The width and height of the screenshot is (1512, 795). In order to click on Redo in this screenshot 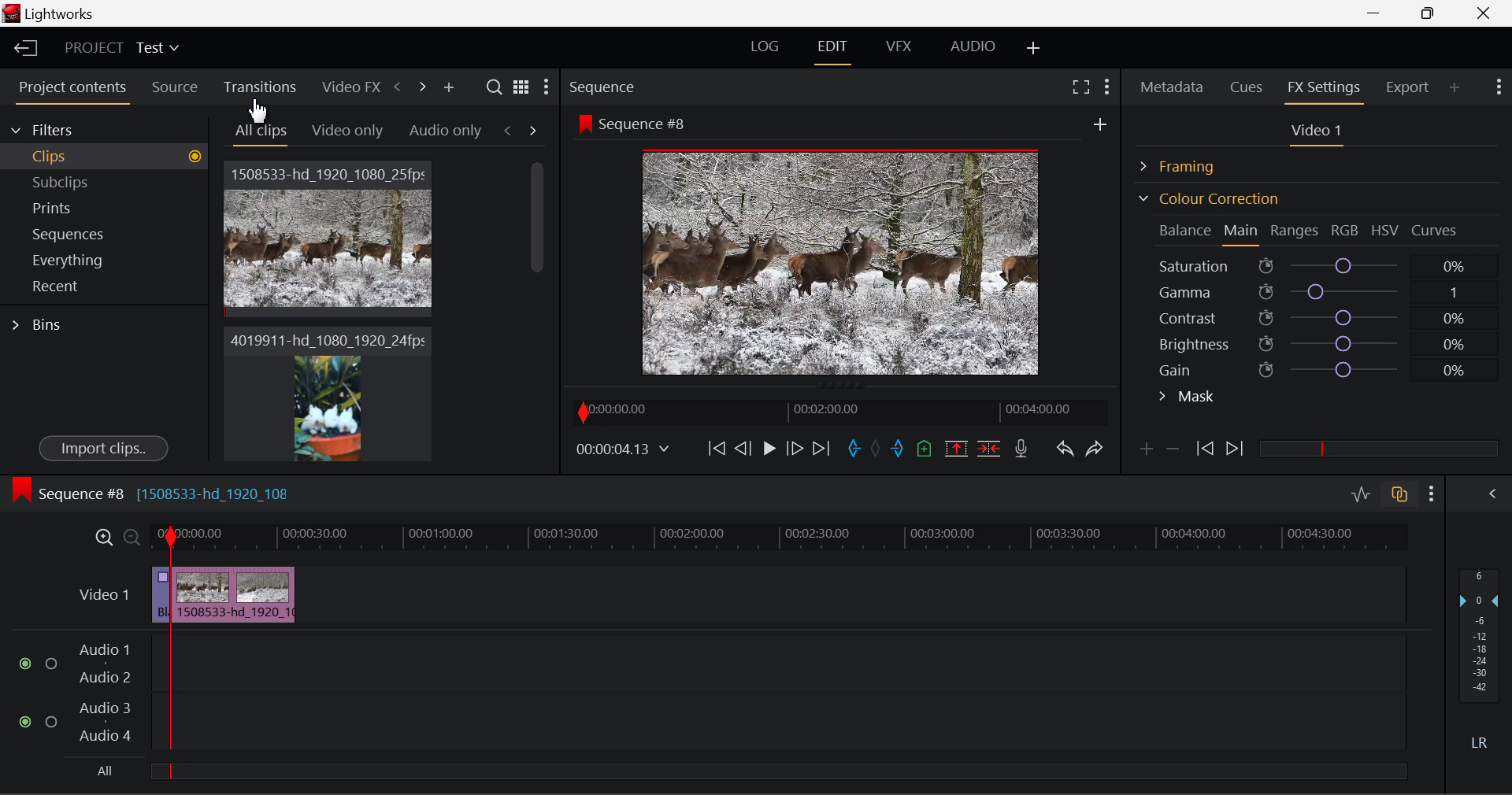, I will do `click(1095, 448)`.